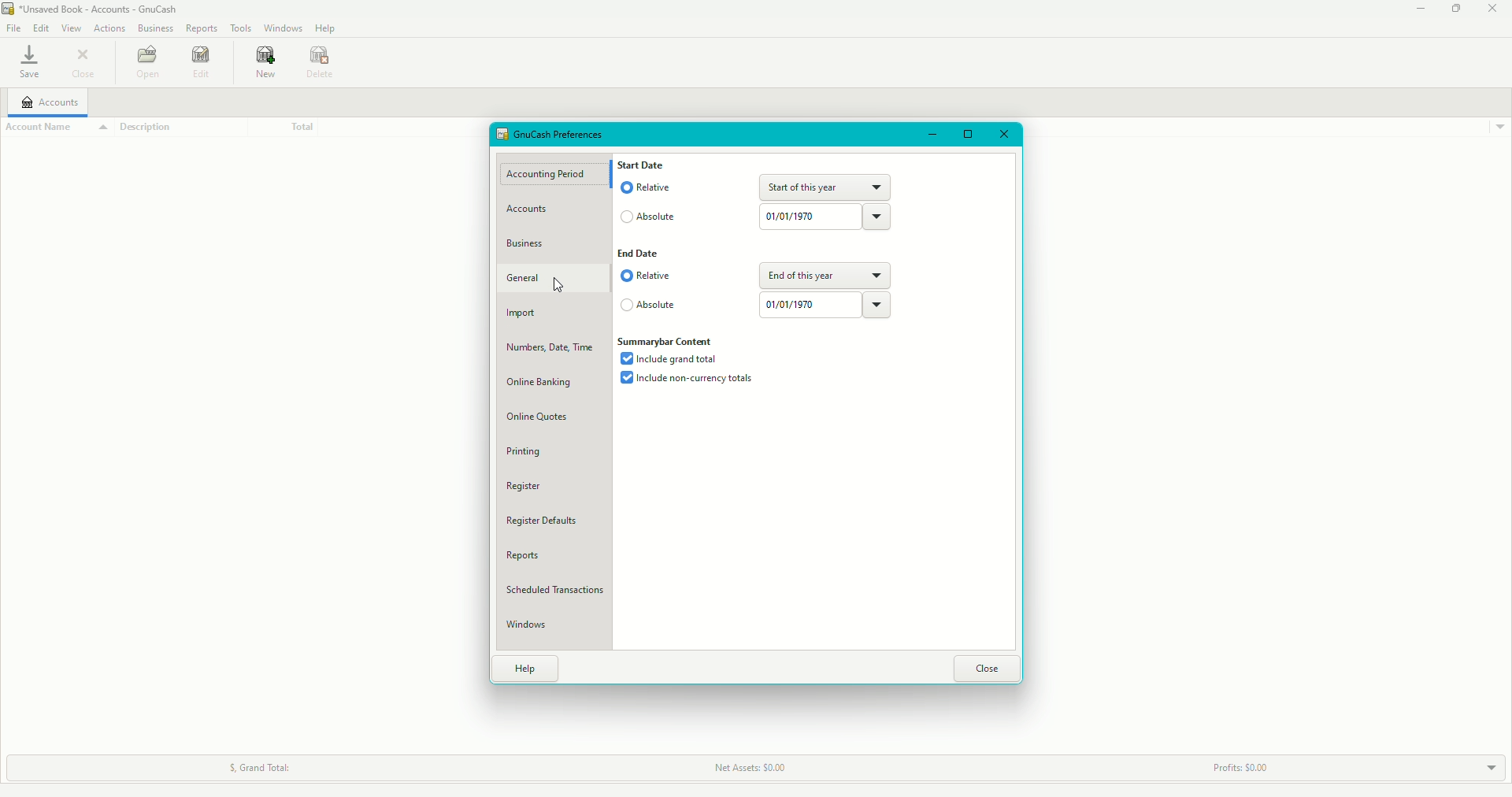 This screenshot has height=797, width=1512. I want to click on Import, so click(523, 316).